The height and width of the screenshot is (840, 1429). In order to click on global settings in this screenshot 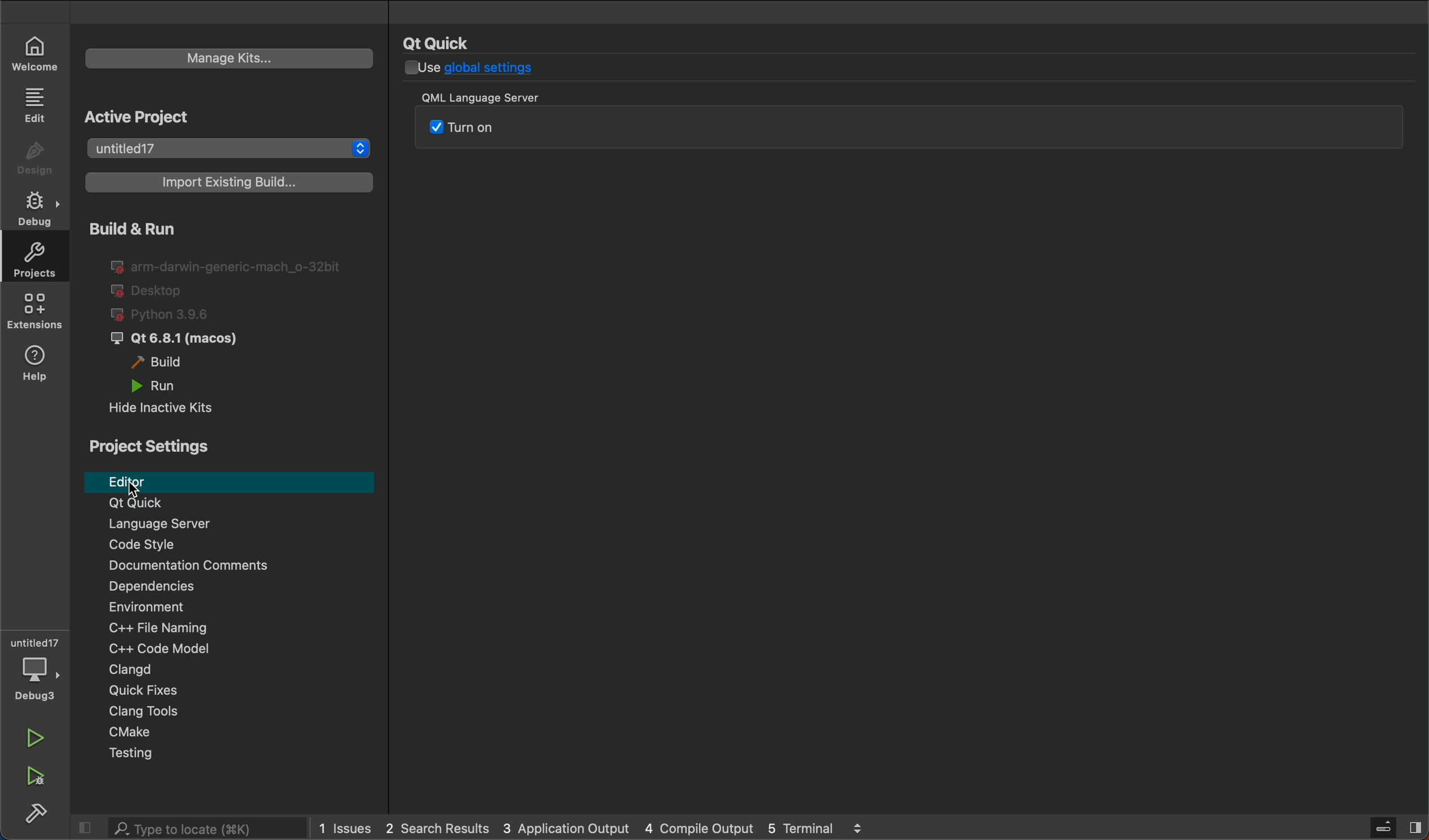, I will do `click(485, 70)`.